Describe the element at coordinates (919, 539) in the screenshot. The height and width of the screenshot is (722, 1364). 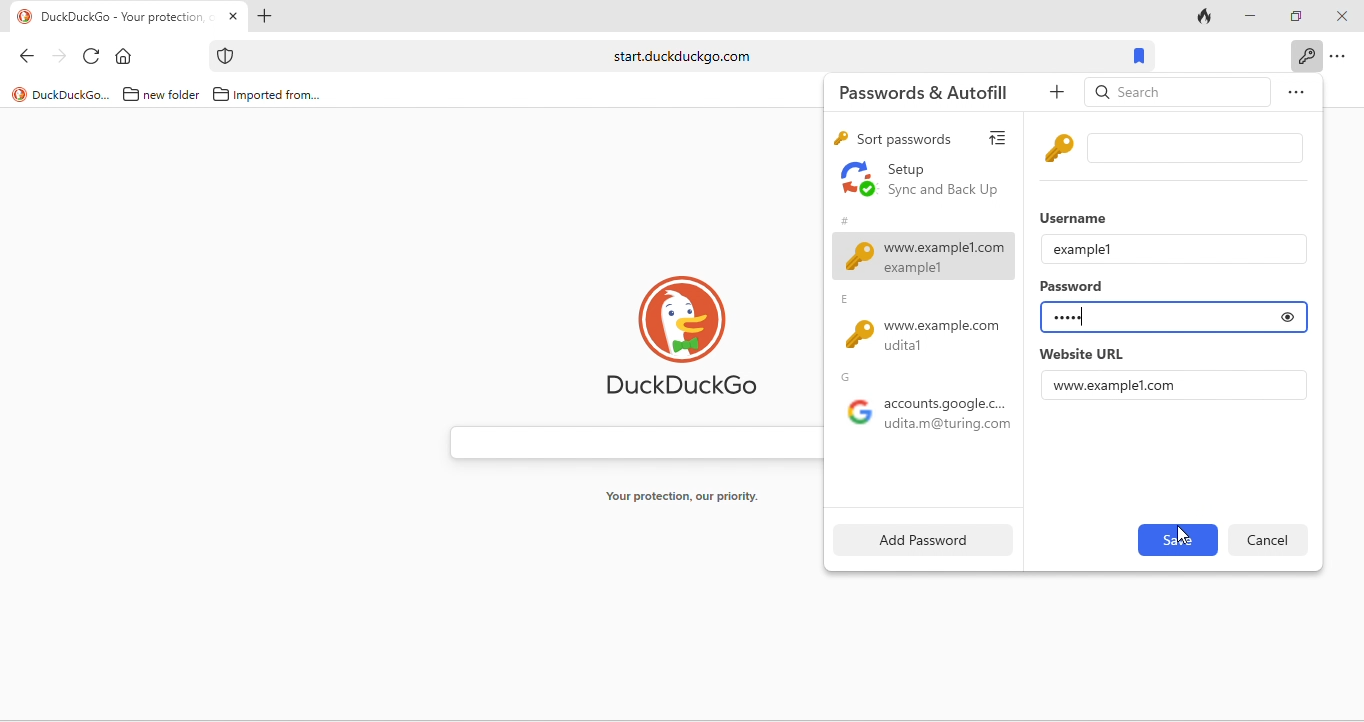
I see `add password` at that location.